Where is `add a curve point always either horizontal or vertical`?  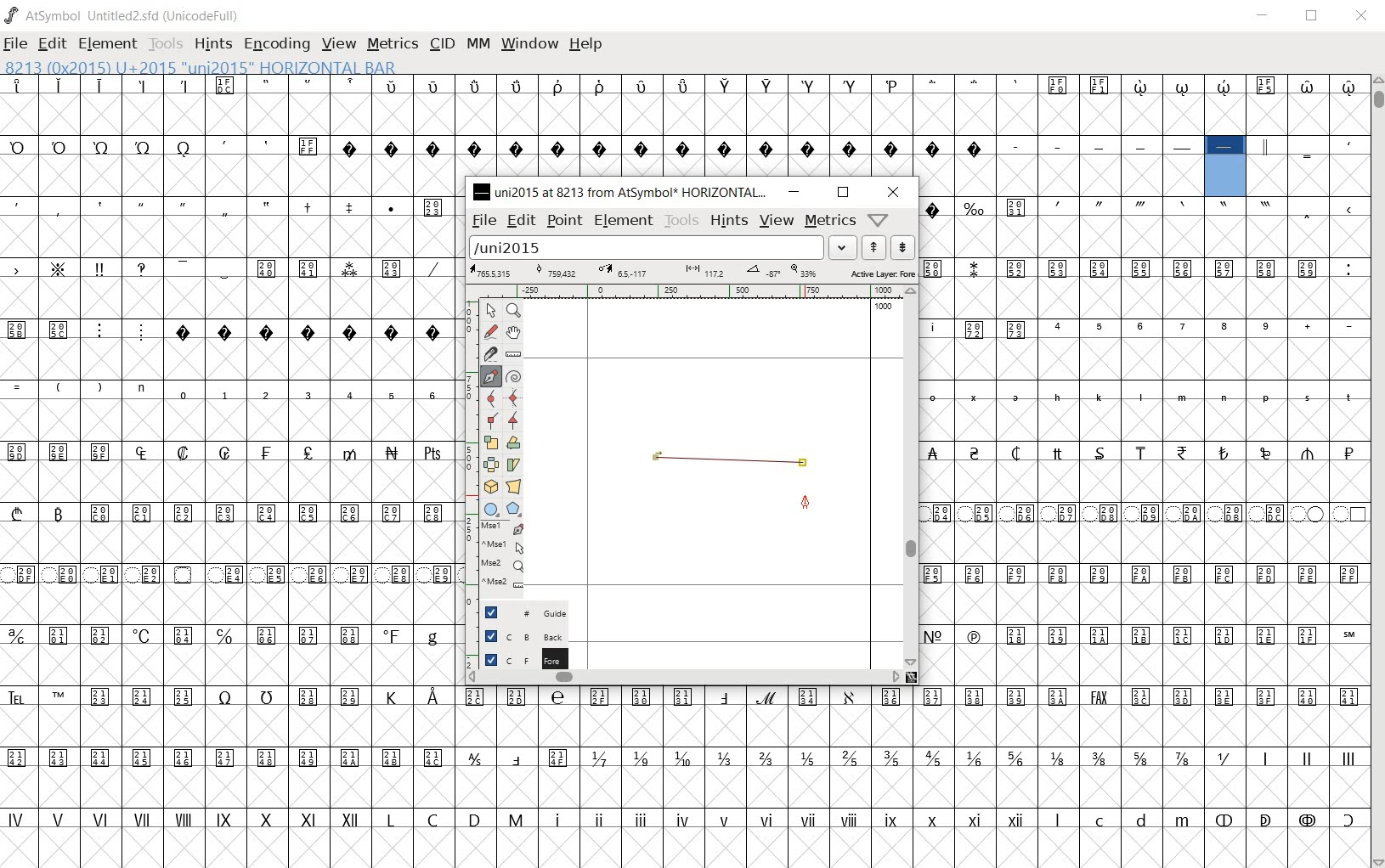
add a curve point always either horizontal or vertical is located at coordinates (512, 398).